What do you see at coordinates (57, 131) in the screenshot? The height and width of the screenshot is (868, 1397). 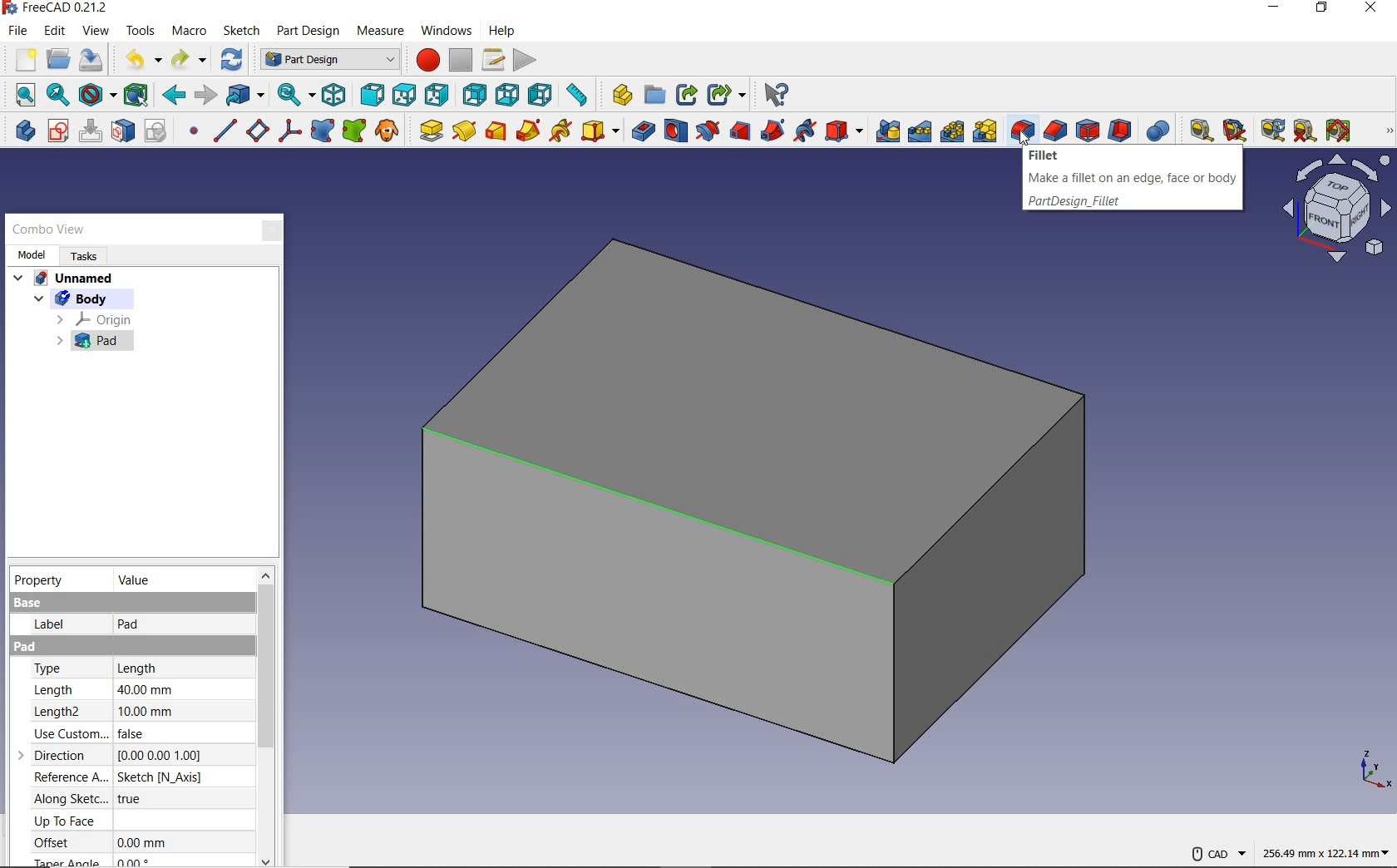 I see `create sketch` at bounding box center [57, 131].